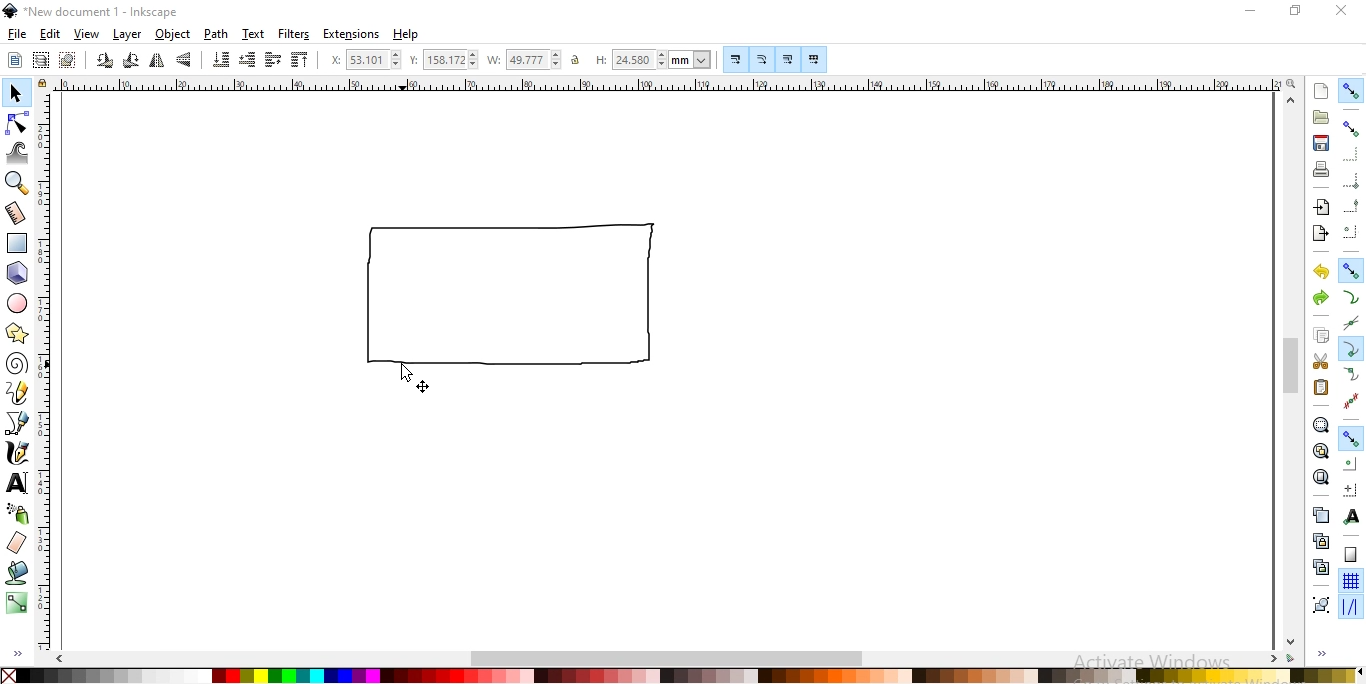 This screenshot has width=1366, height=684. What do you see at coordinates (17, 93) in the screenshot?
I see `select and transform objects` at bounding box center [17, 93].